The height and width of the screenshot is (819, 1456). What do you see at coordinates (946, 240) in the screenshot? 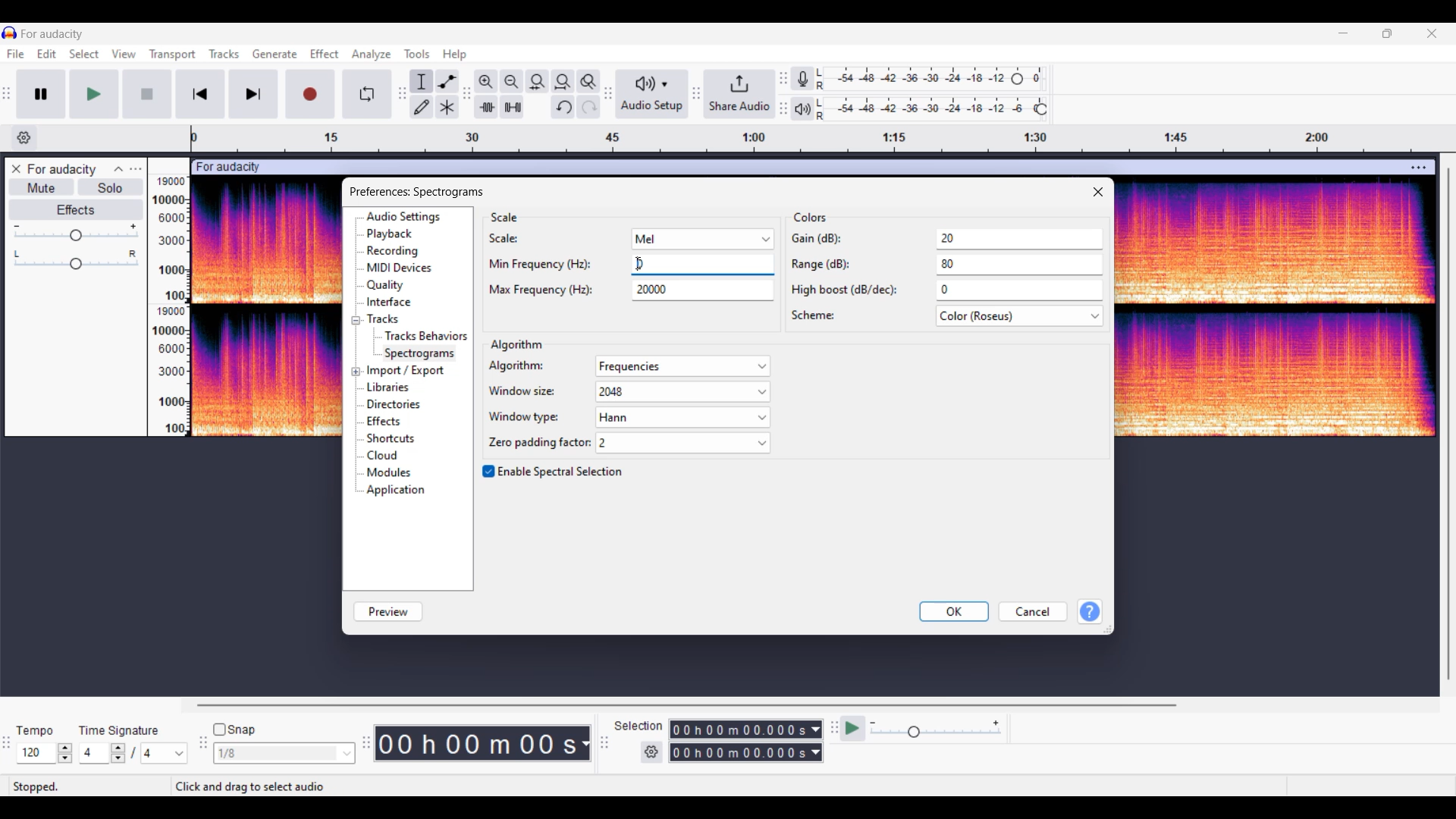
I see `gain` at bounding box center [946, 240].